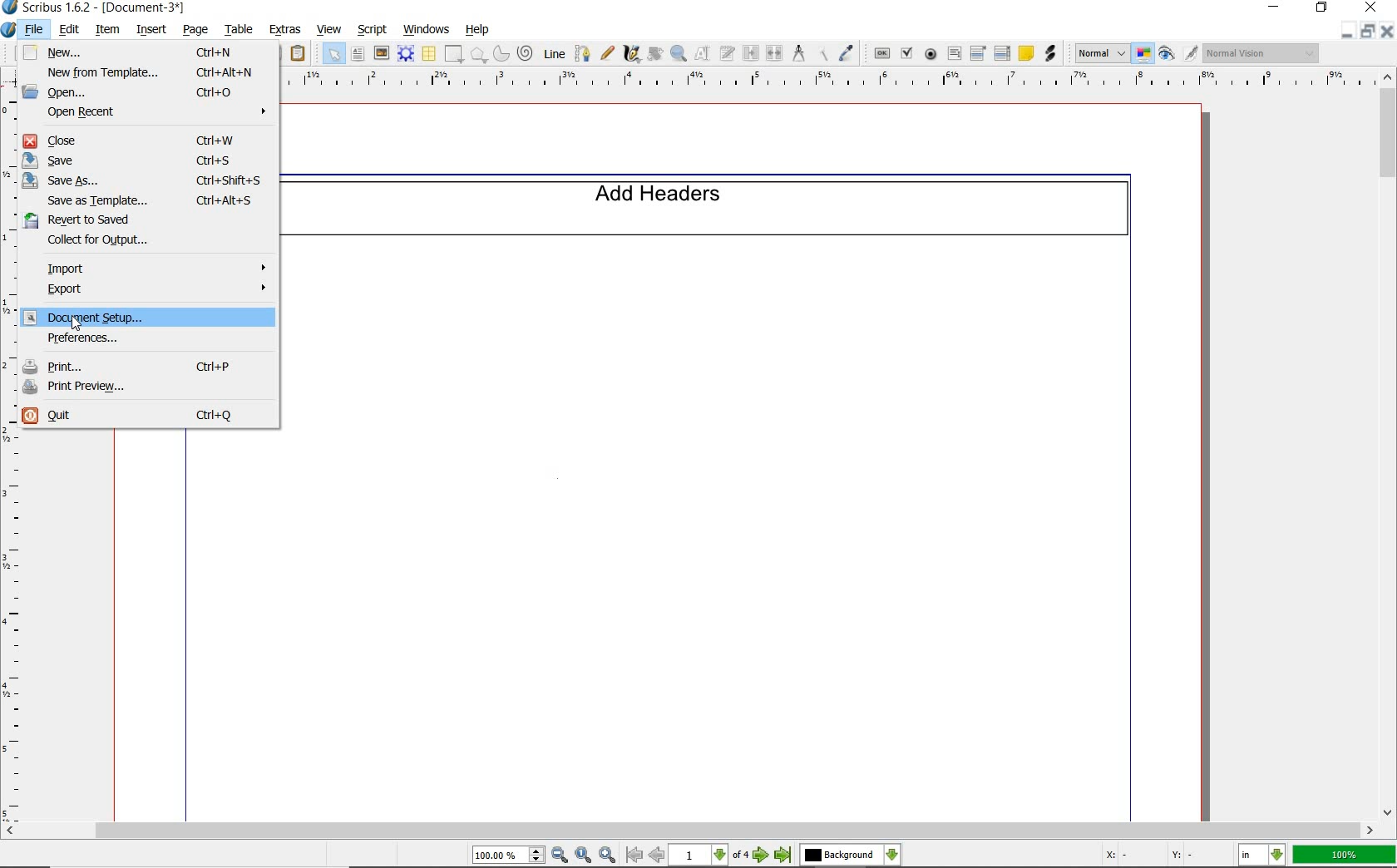 Image resolution: width=1397 pixels, height=868 pixels. I want to click on windows, so click(427, 28).